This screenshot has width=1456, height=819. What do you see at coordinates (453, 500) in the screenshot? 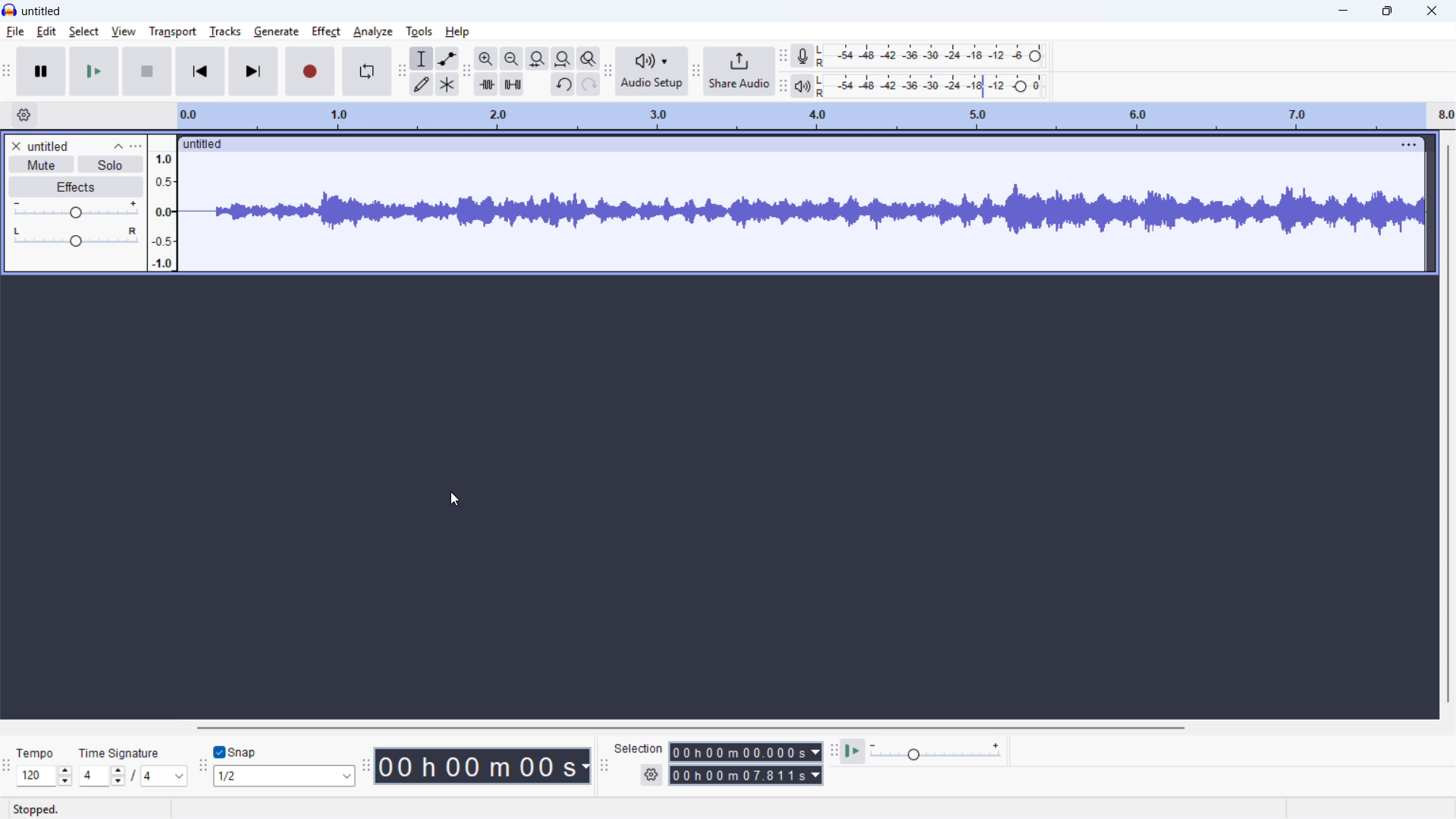
I see `cursor` at bounding box center [453, 500].